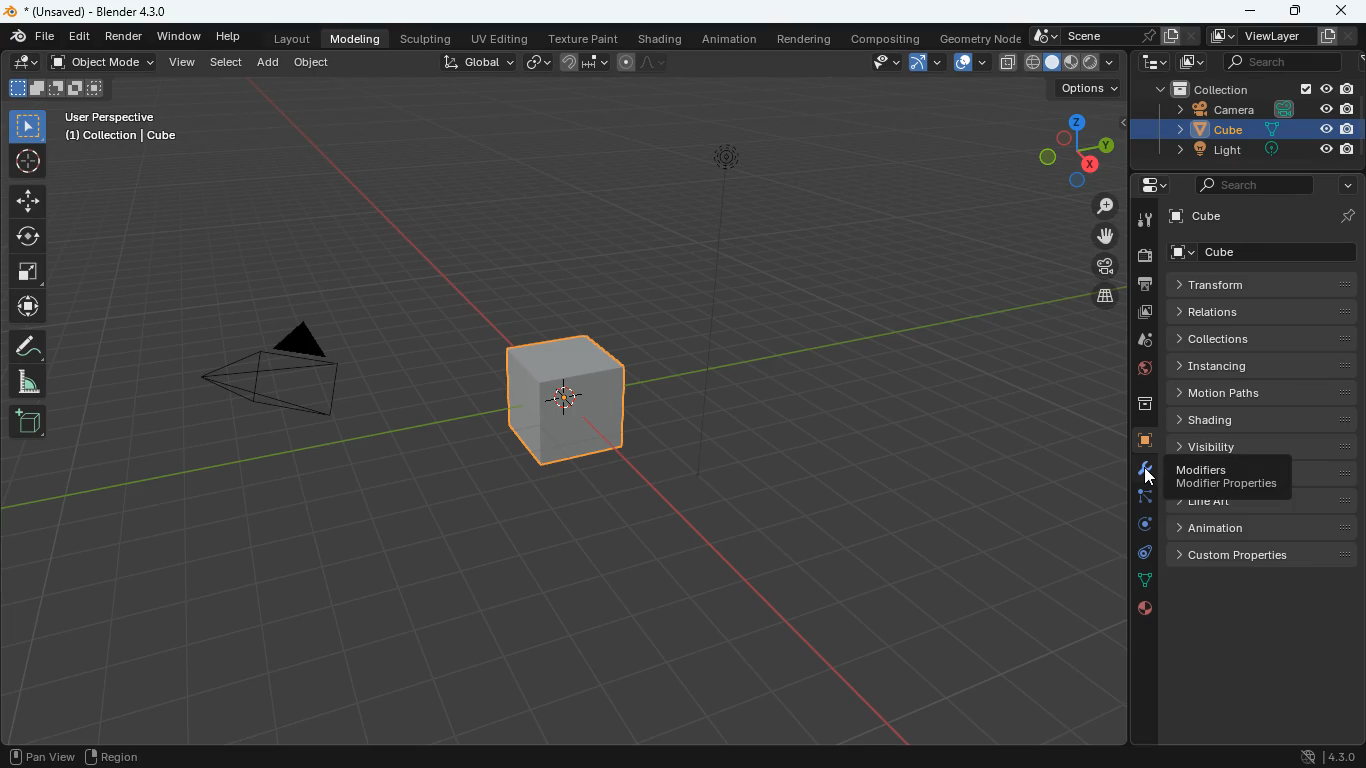  What do you see at coordinates (1194, 63) in the screenshot?
I see `image` at bounding box center [1194, 63].